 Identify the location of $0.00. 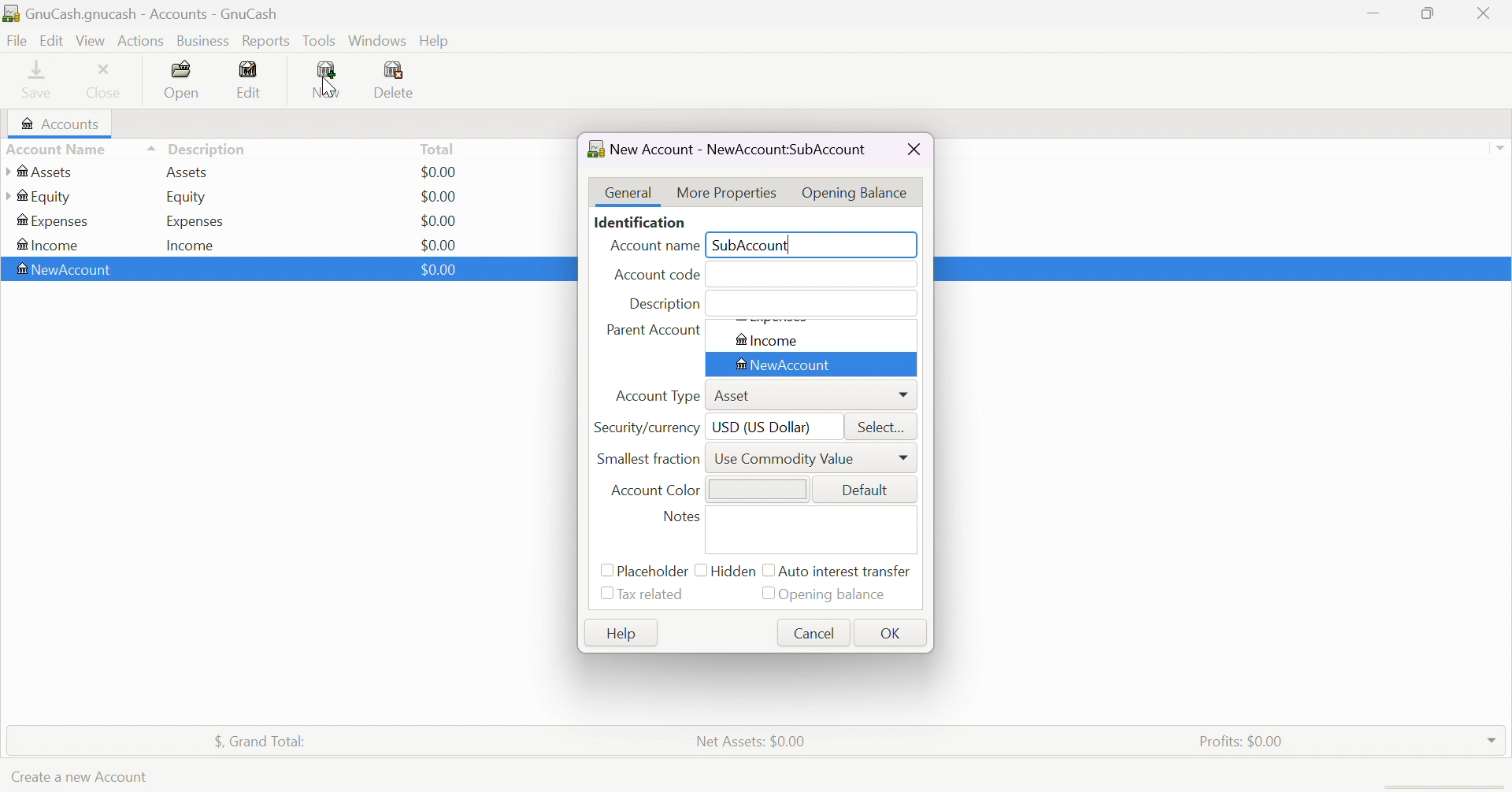
(435, 246).